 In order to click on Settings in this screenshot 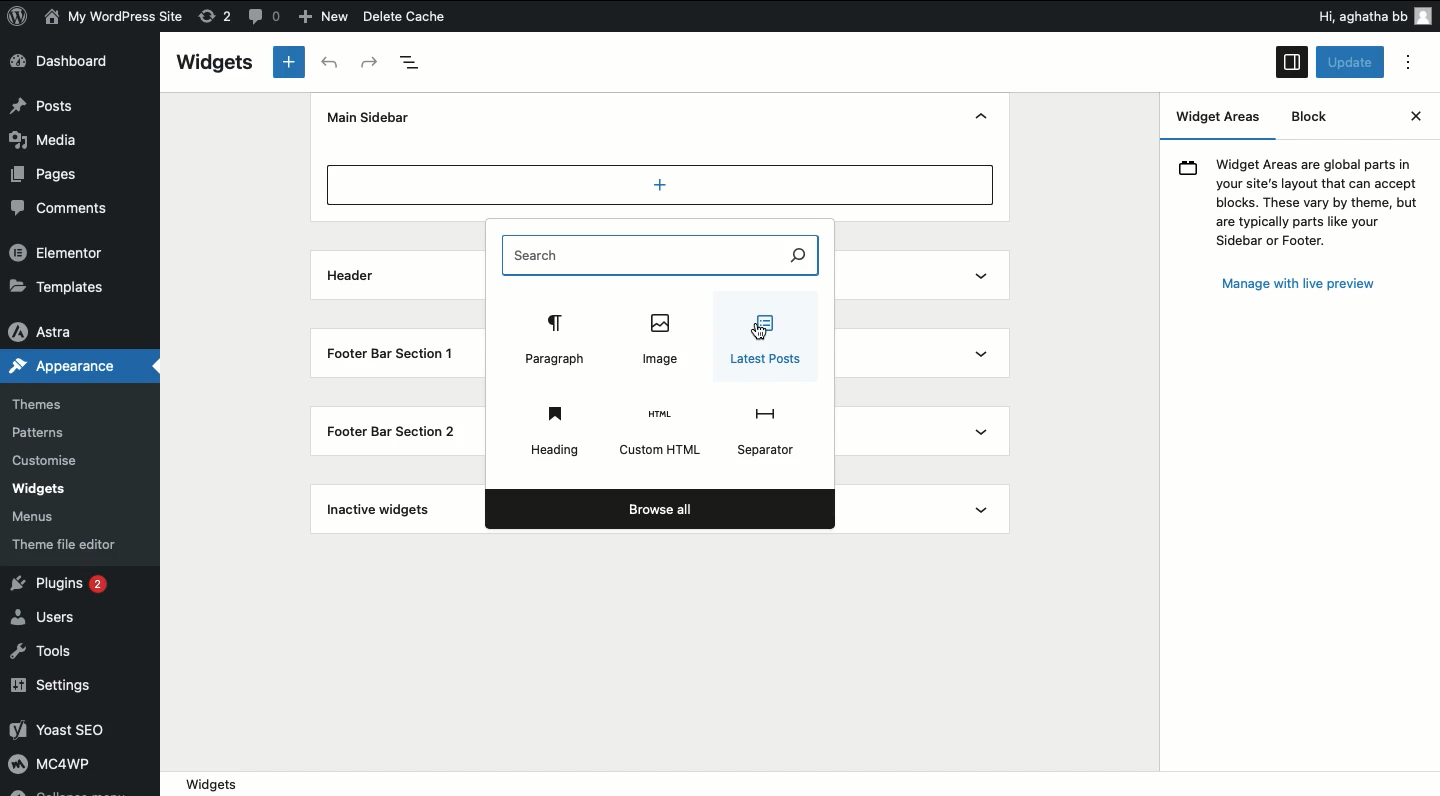, I will do `click(58, 691)`.